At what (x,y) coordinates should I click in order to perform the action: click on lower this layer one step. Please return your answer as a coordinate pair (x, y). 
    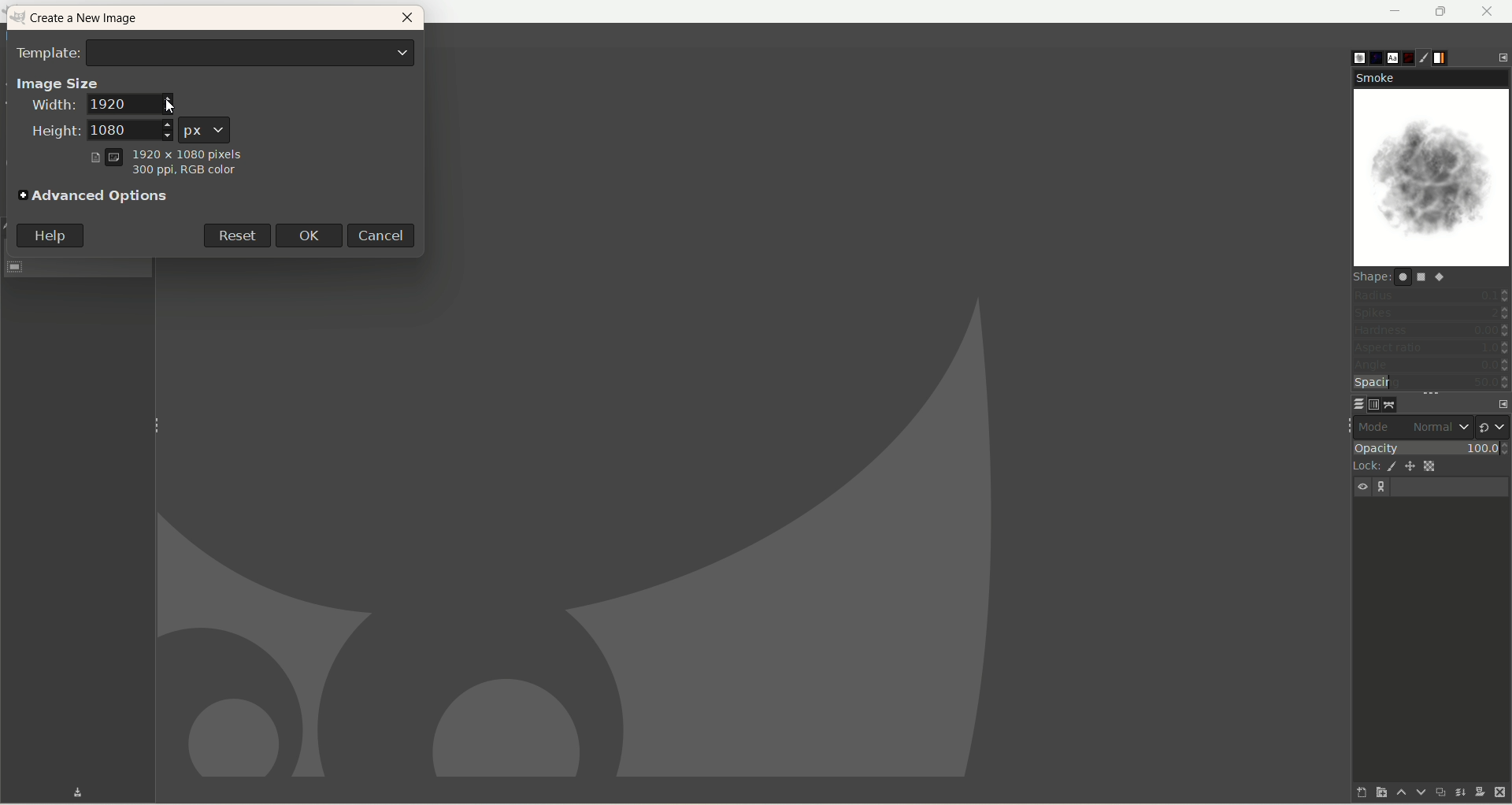
    Looking at the image, I should click on (1414, 792).